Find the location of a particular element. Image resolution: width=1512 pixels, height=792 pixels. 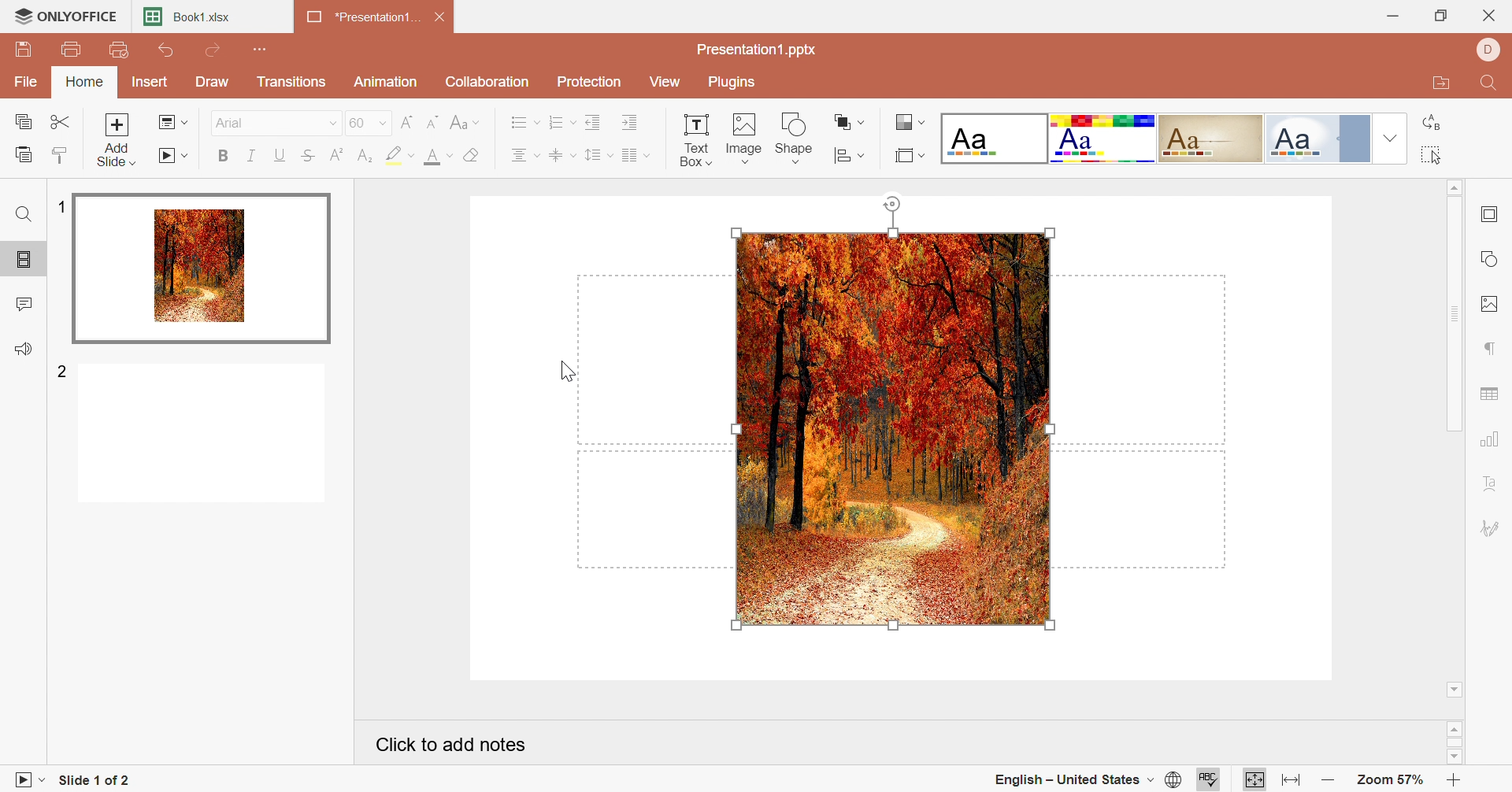

Add slide is located at coordinates (117, 138).